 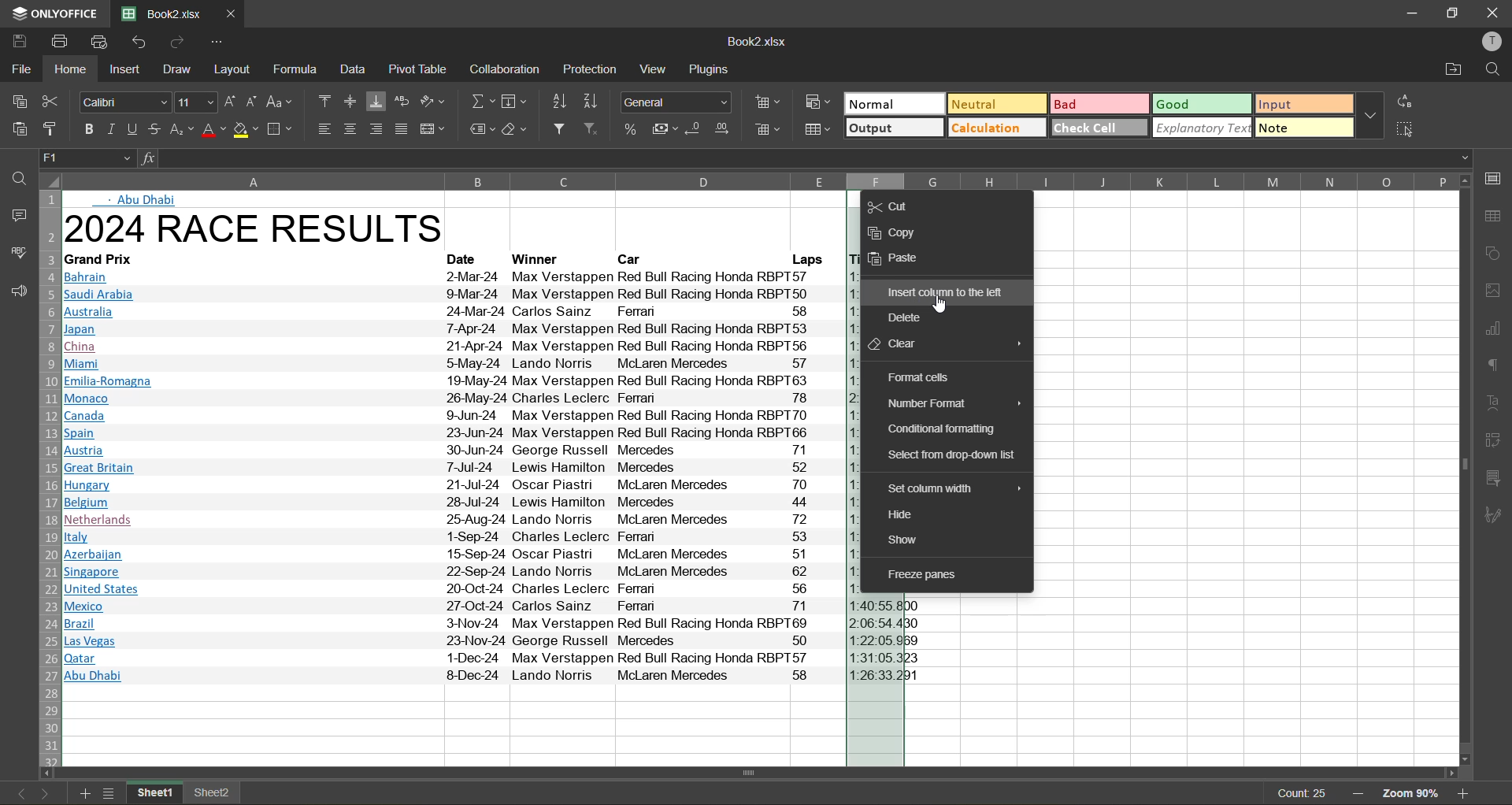 What do you see at coordinates (13, 213) in the screenshot?
I see `comments` at bounding box center [13, 213].